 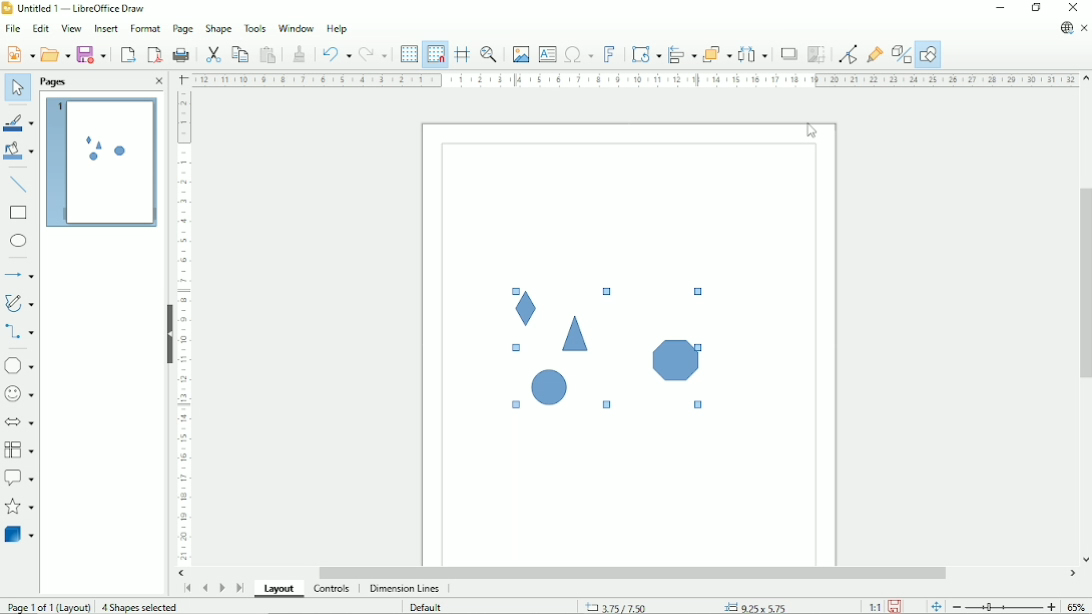 I want to click on Page, so click(x=181, y=29).